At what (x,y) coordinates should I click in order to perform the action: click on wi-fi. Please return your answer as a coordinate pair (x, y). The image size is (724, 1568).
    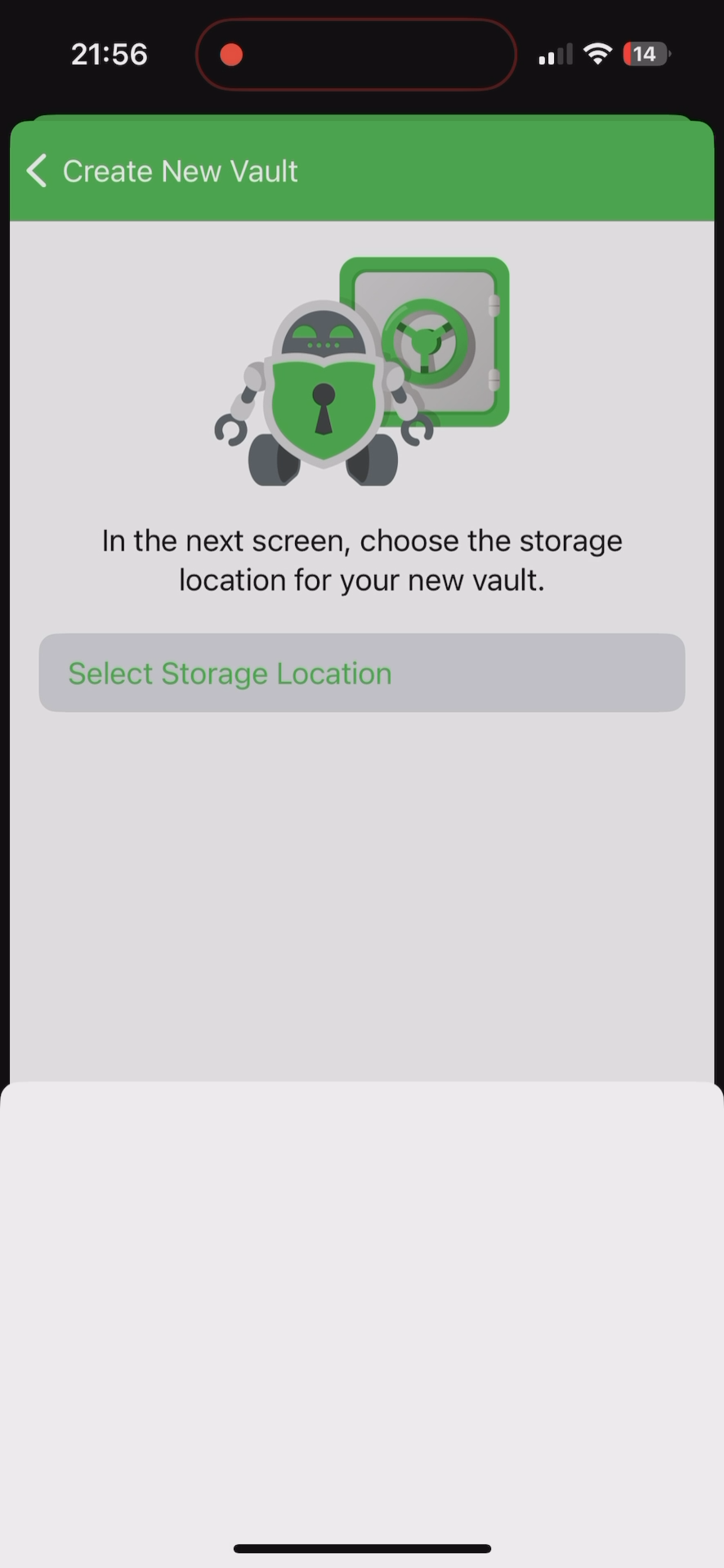
    Looking at the image, I should click on (599, 60).